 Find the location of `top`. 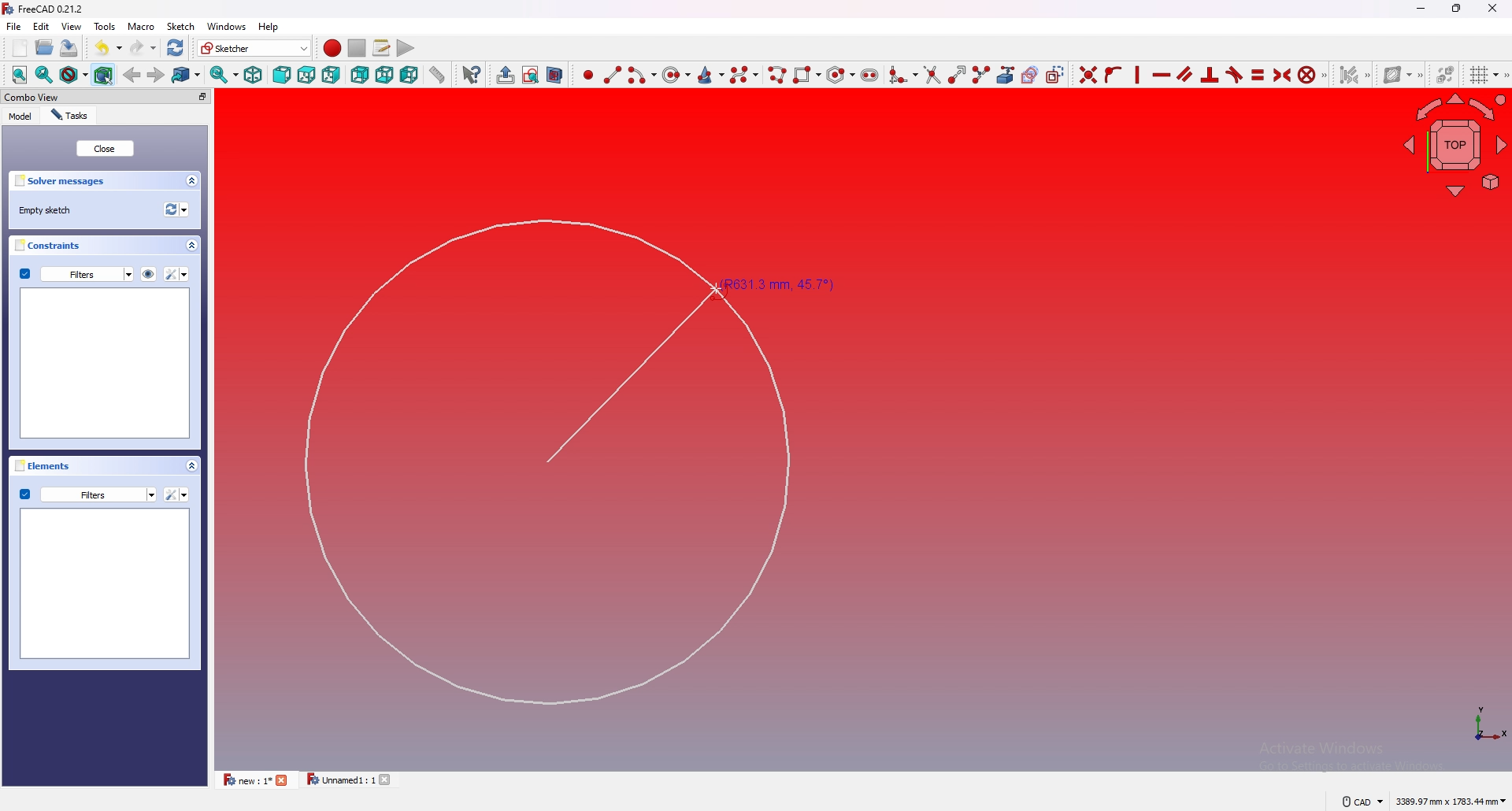

top is located at coordinates (307, 75).